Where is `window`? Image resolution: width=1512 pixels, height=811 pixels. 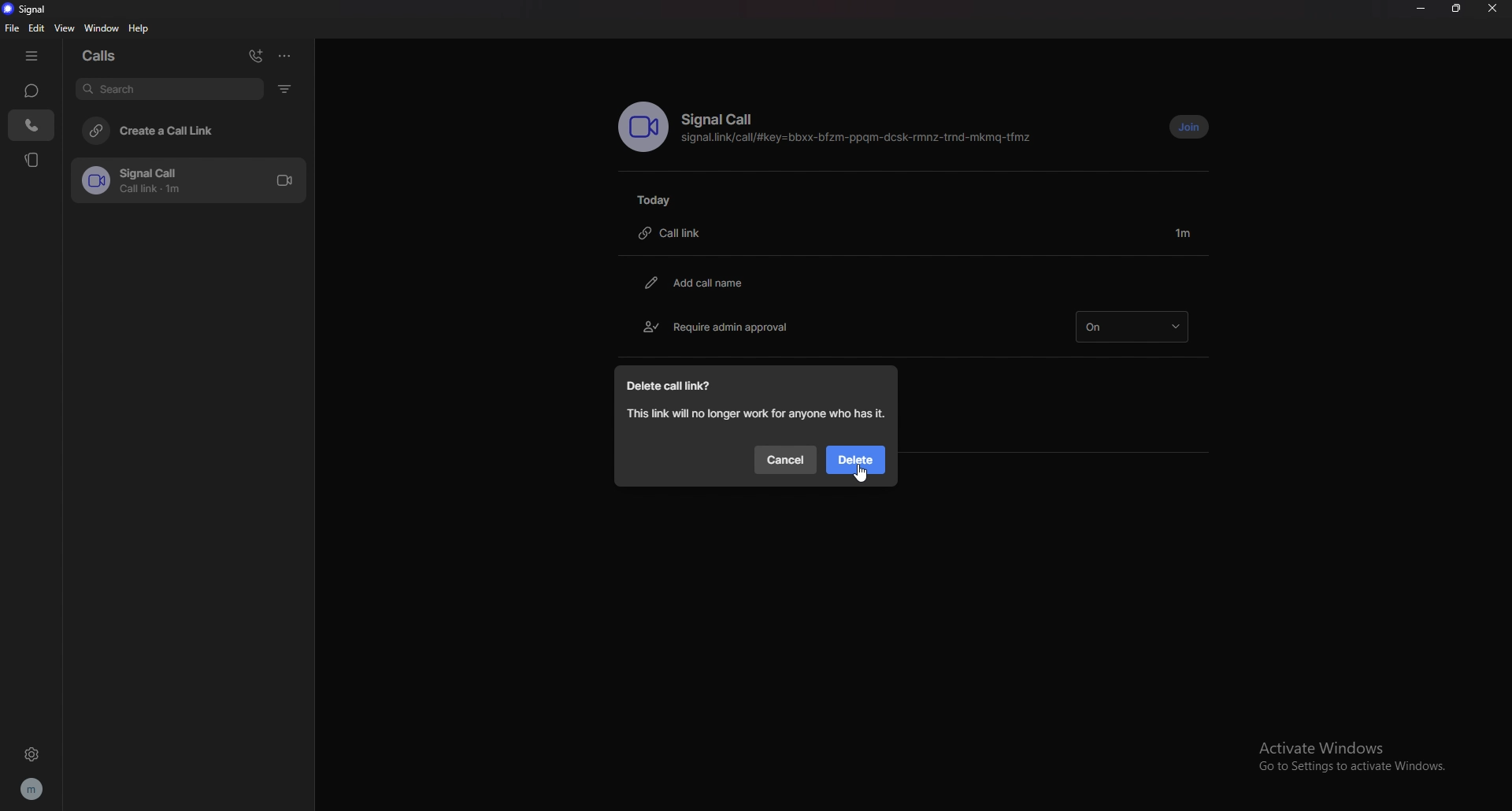
window is located at coordinates (102, 28).